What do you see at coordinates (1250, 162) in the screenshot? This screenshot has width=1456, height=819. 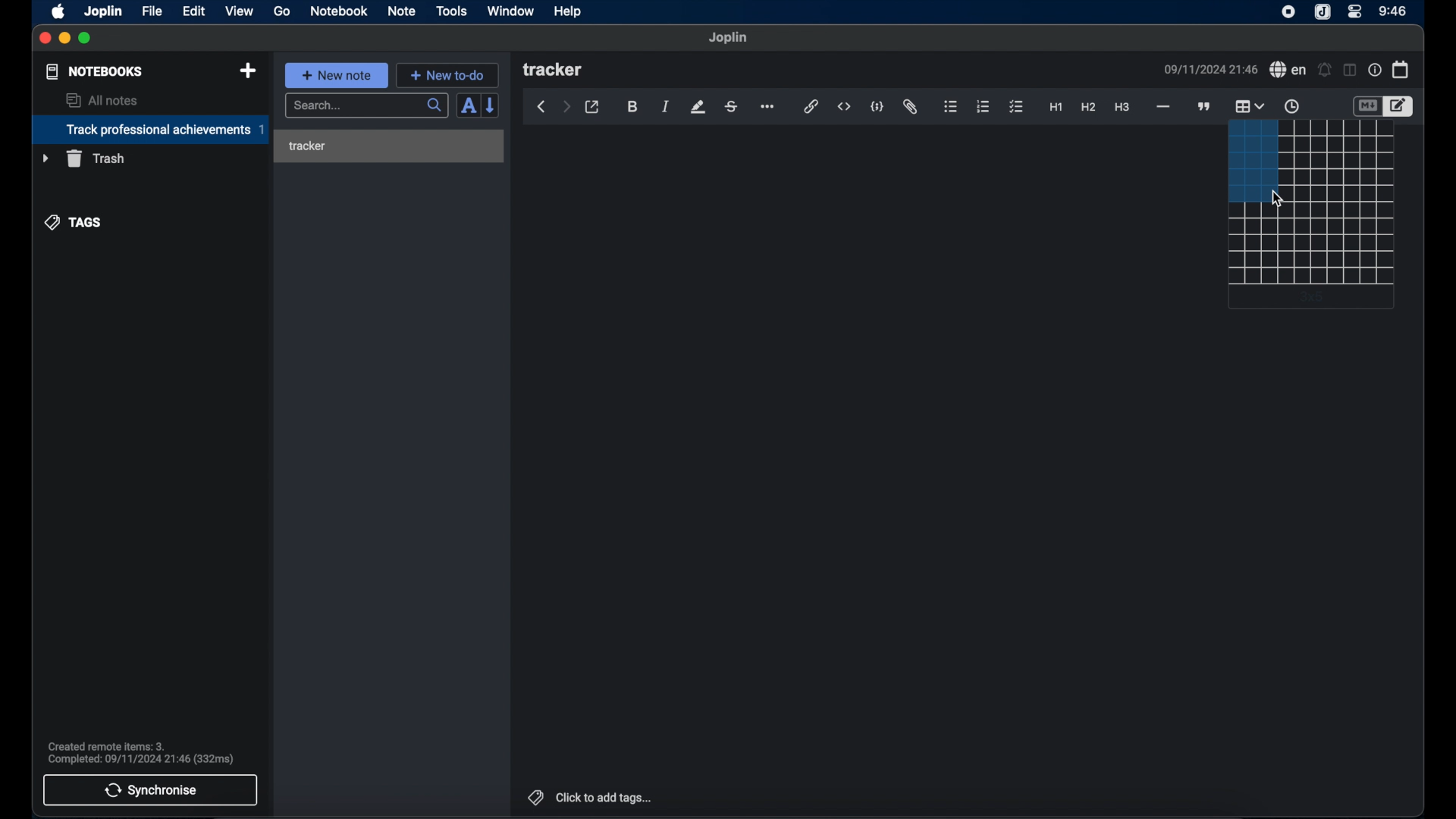 I see `selected rows and columns` at bounding box center [1250, 162].